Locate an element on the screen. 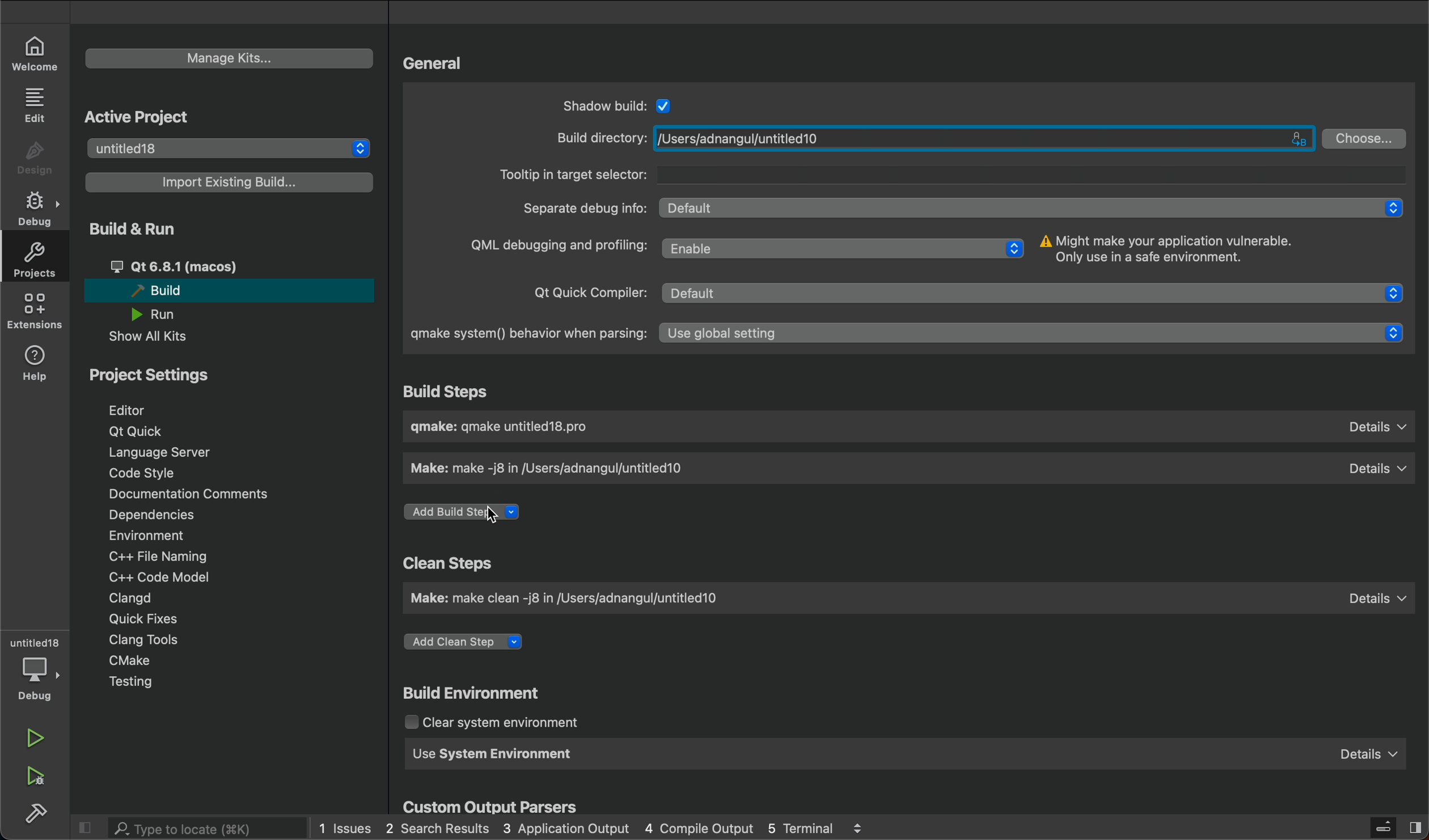 This screenshot has width=1429, height=840. 1 Issues is located at coordinates (344, 826).